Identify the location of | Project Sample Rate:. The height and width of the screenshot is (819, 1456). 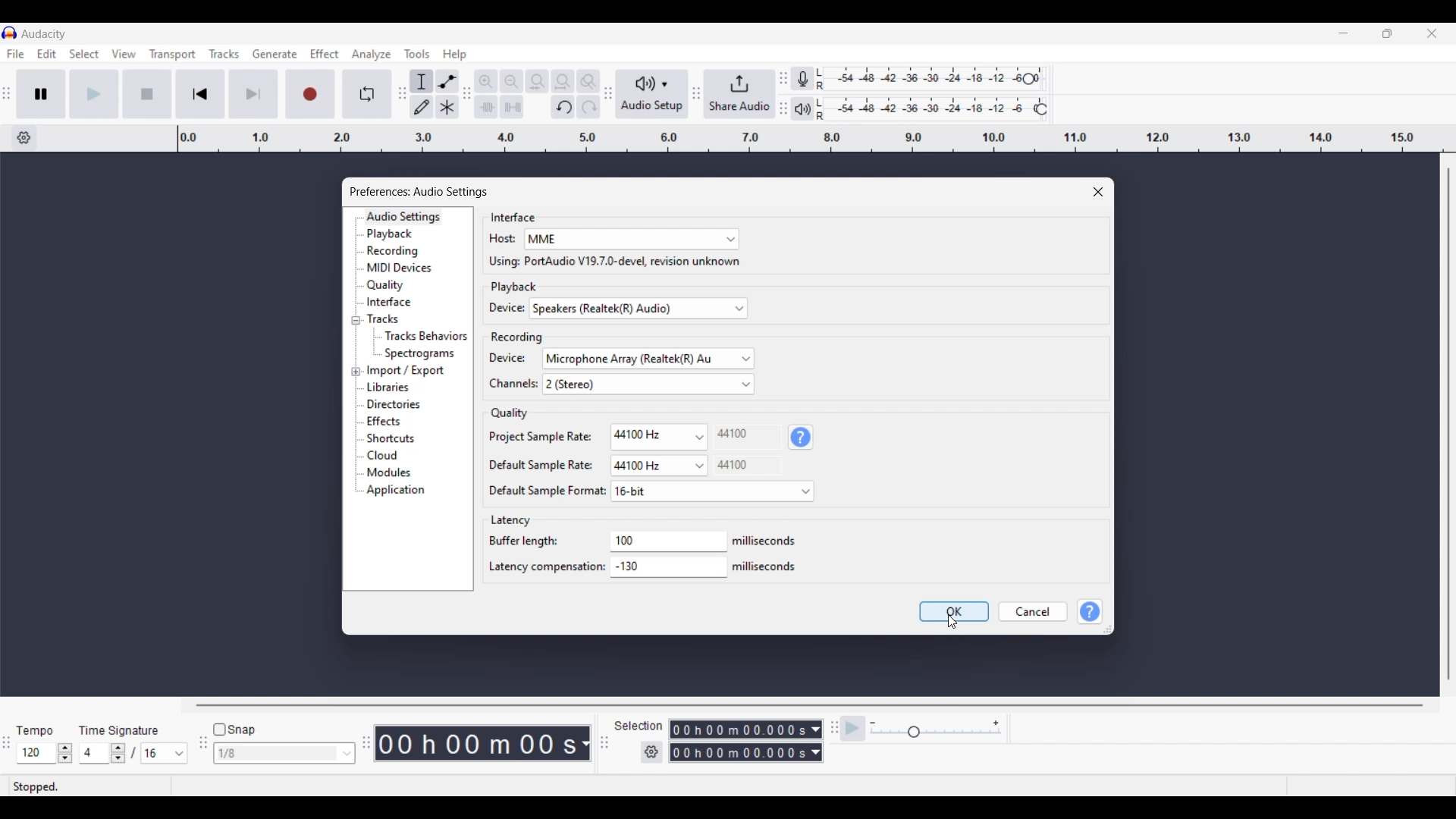
(535, 436).